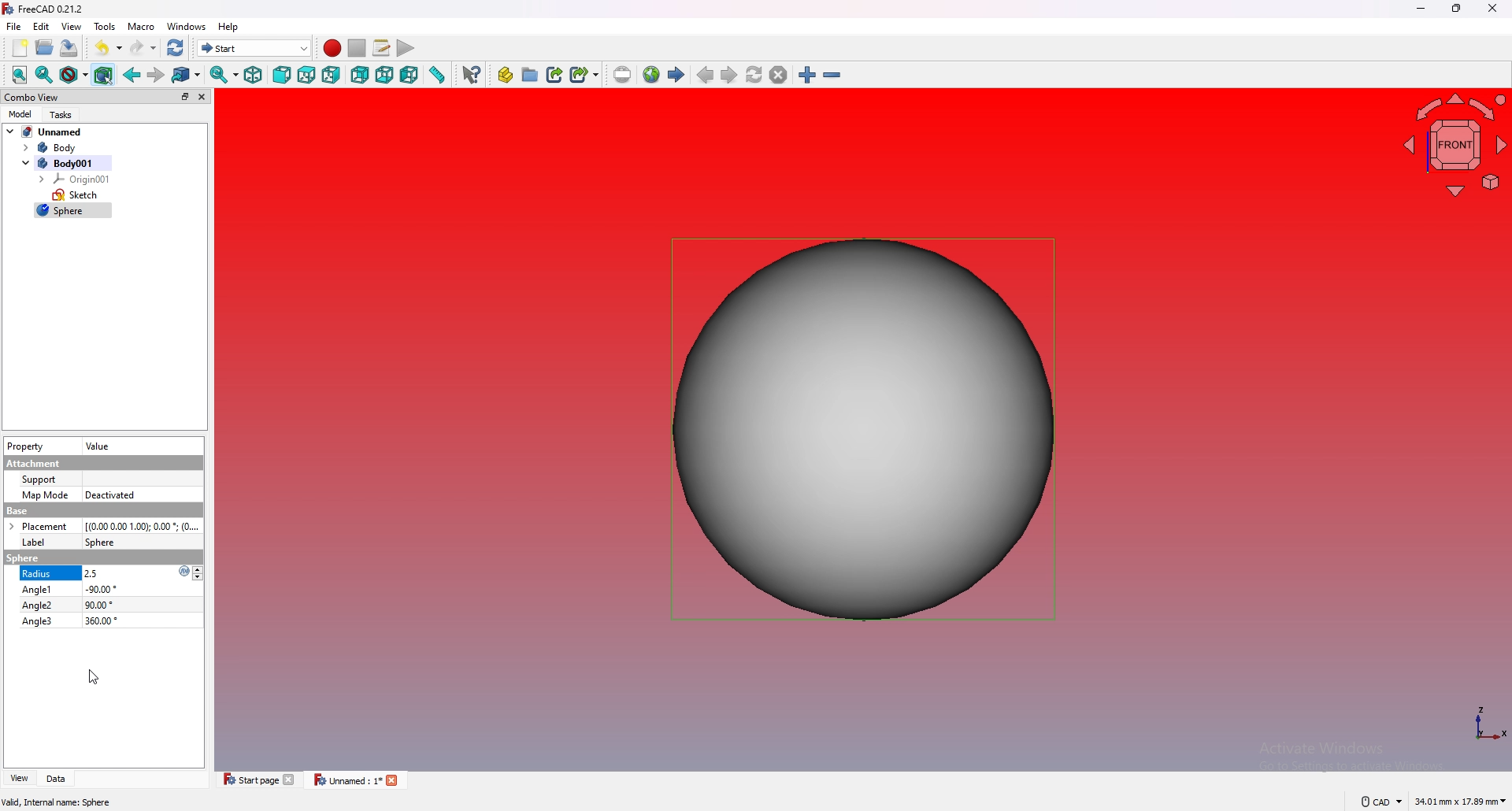 The height and width of the screenshot is (811, 1512). I want to click on unnamed, so click(46, 131).